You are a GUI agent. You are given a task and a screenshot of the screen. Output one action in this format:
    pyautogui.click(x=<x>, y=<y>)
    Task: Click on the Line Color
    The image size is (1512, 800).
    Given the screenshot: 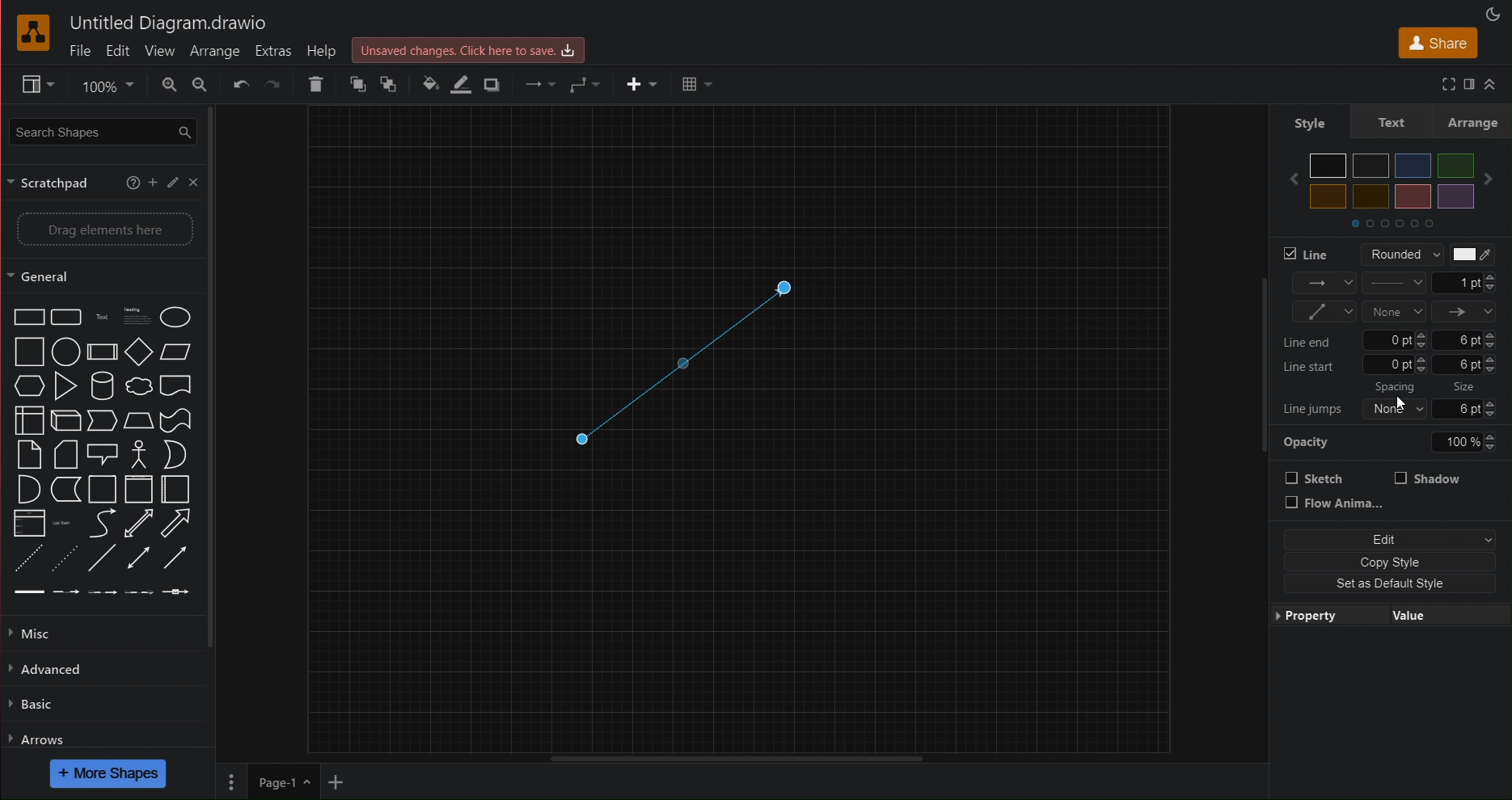 What is the action you would take?
    pyautogui.click(x=1471, y=255)
    